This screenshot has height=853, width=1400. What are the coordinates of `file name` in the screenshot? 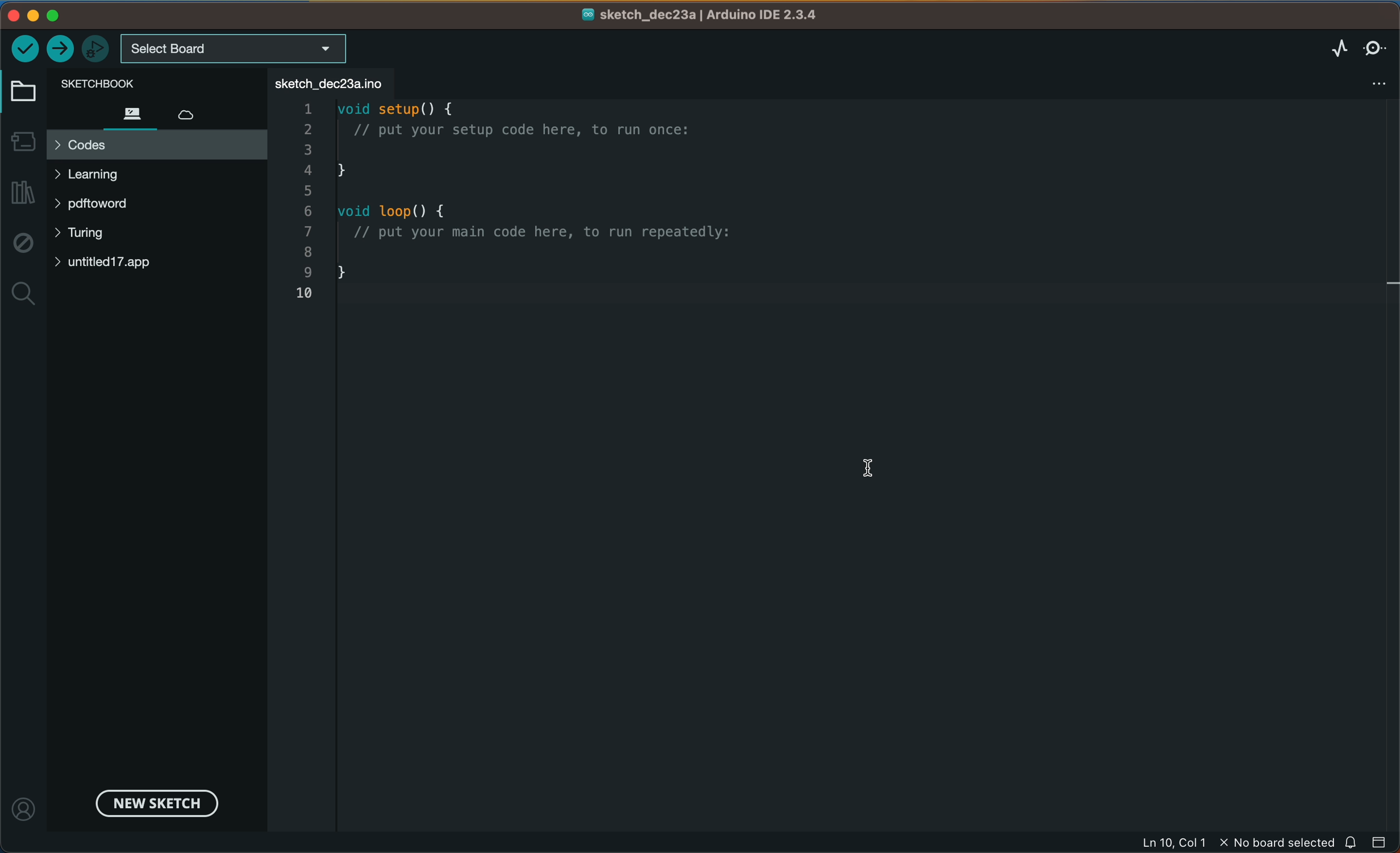 It's located at (706, 15).